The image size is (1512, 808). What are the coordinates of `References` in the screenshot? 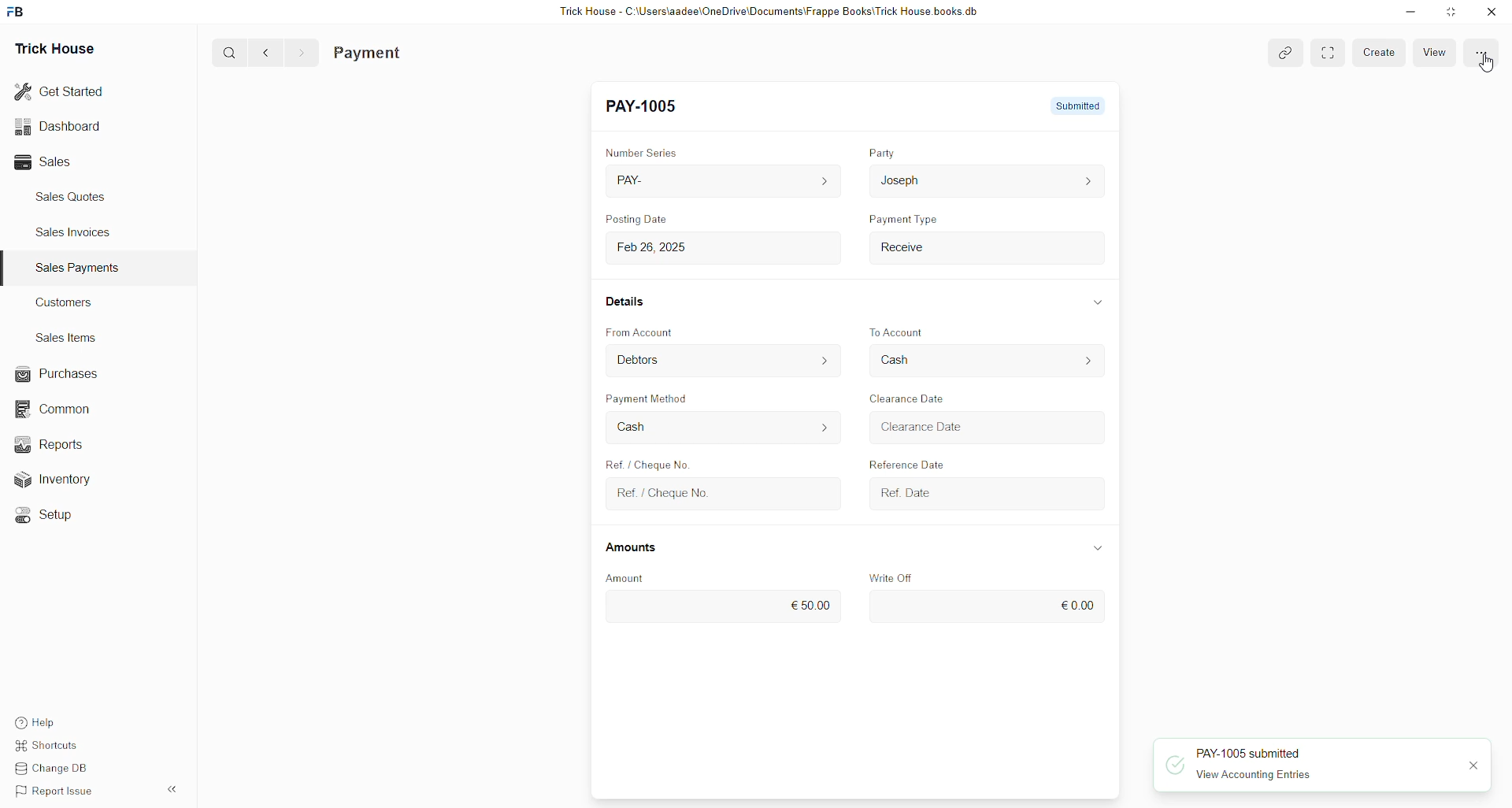 It's located at (636, 657).